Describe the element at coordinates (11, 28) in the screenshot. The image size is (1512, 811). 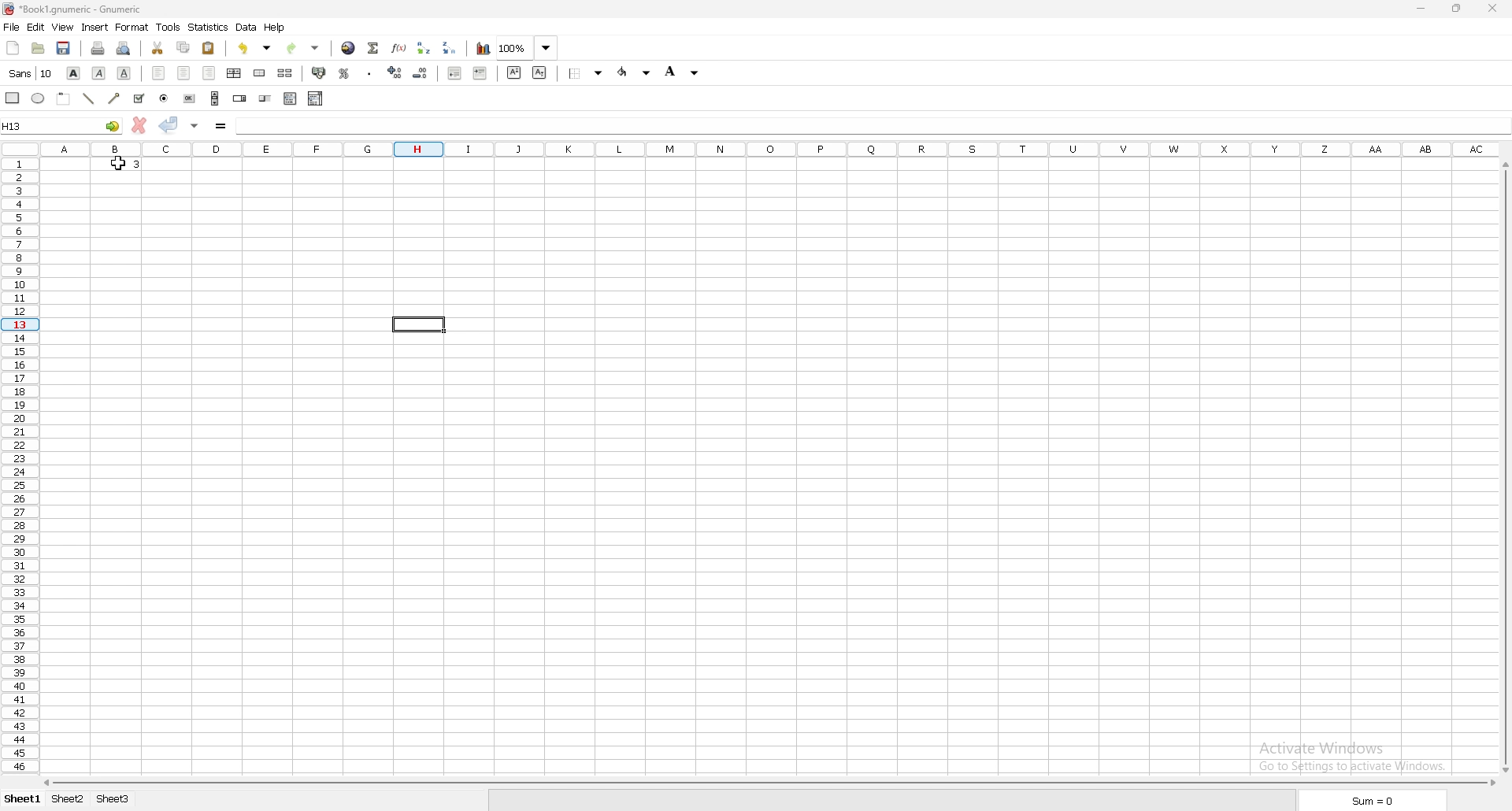
I see `file` at that location.